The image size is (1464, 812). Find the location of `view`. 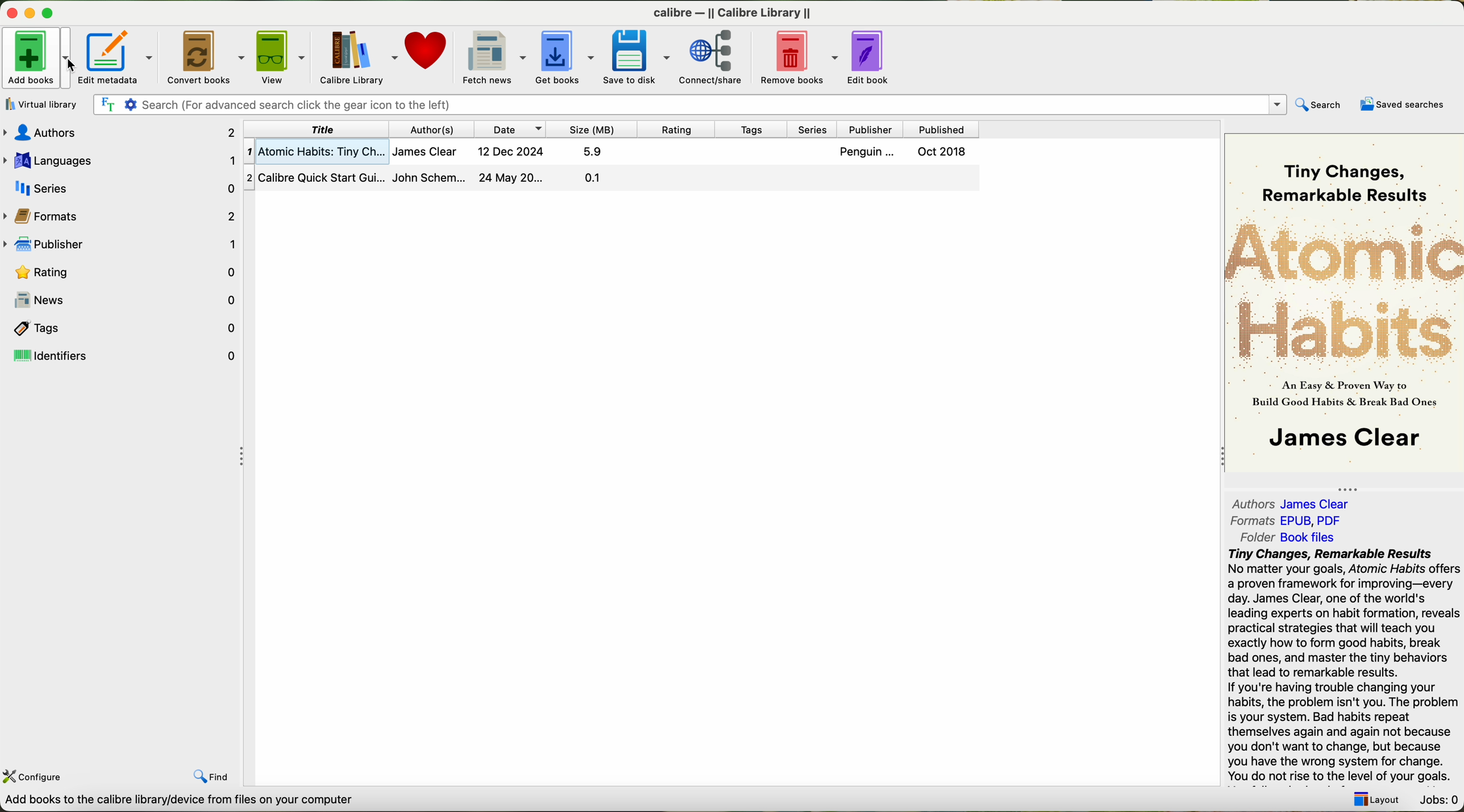

view is located at coordinates (282, 55).